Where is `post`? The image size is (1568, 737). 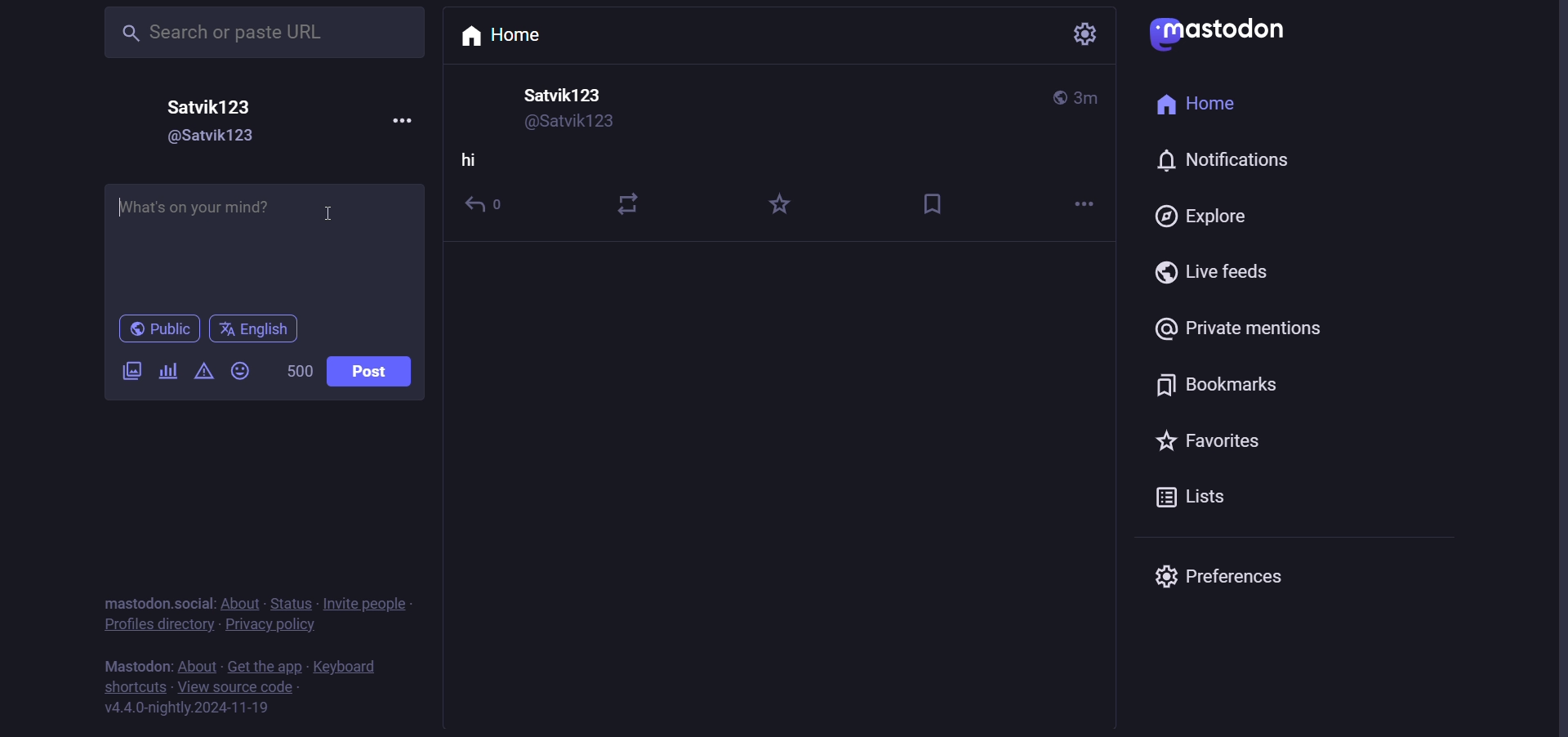 post is located at coordinates (373, 373).